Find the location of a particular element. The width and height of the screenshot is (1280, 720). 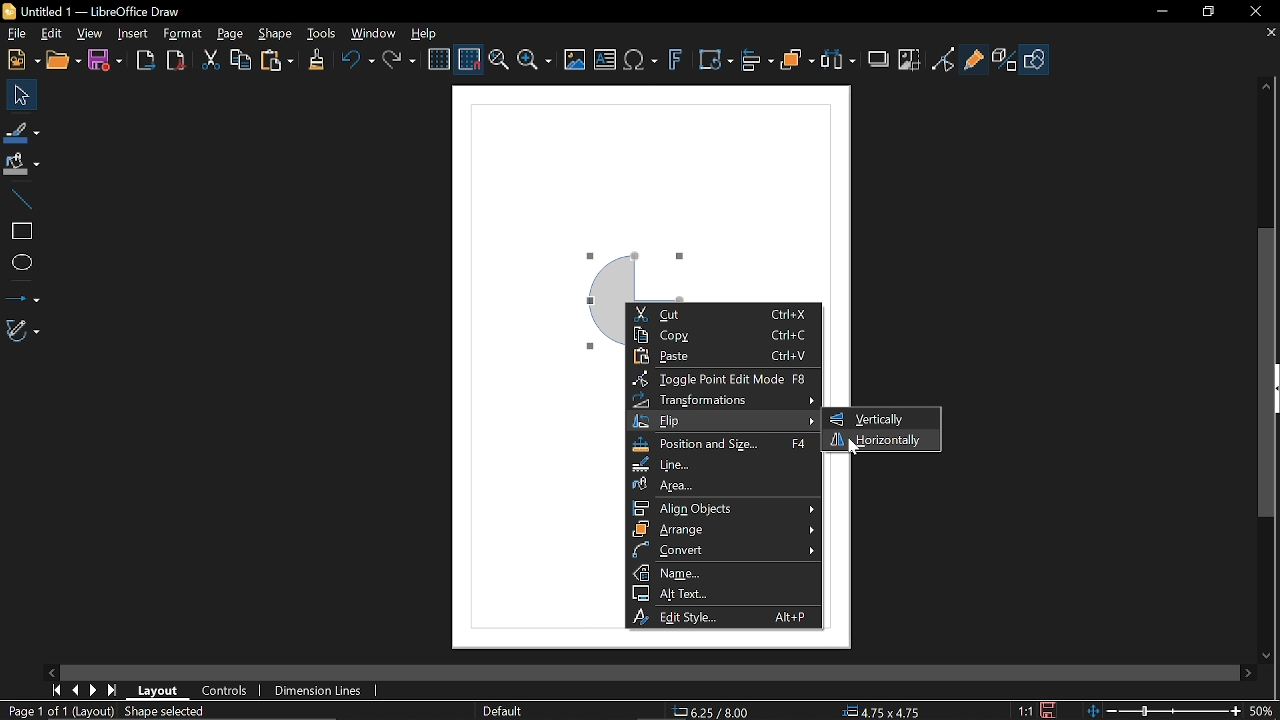

Convert is located at coordinates (724, 551).